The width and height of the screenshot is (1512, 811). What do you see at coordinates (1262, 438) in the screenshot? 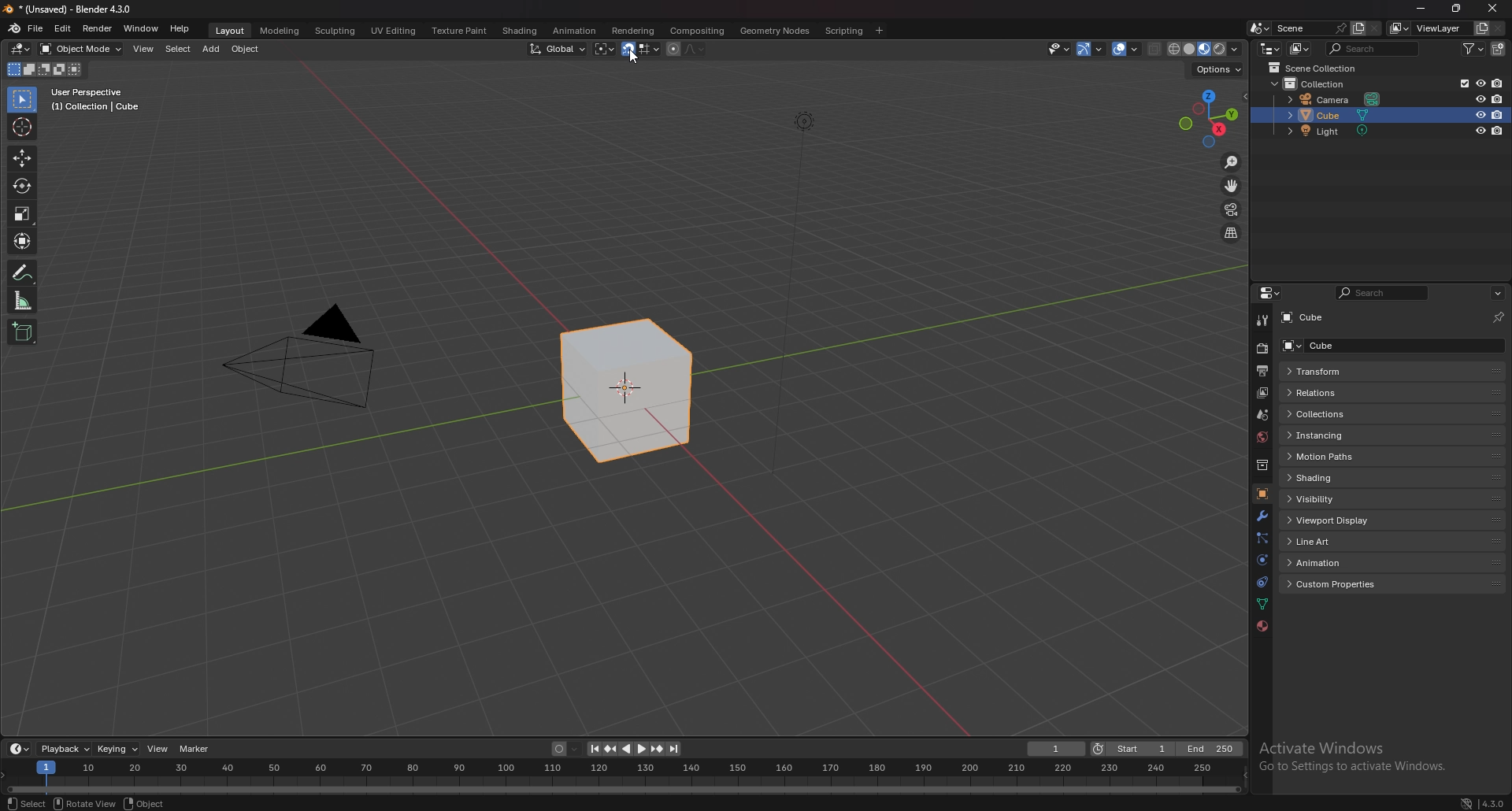
I see `world` at bounding box center [1262, 438].